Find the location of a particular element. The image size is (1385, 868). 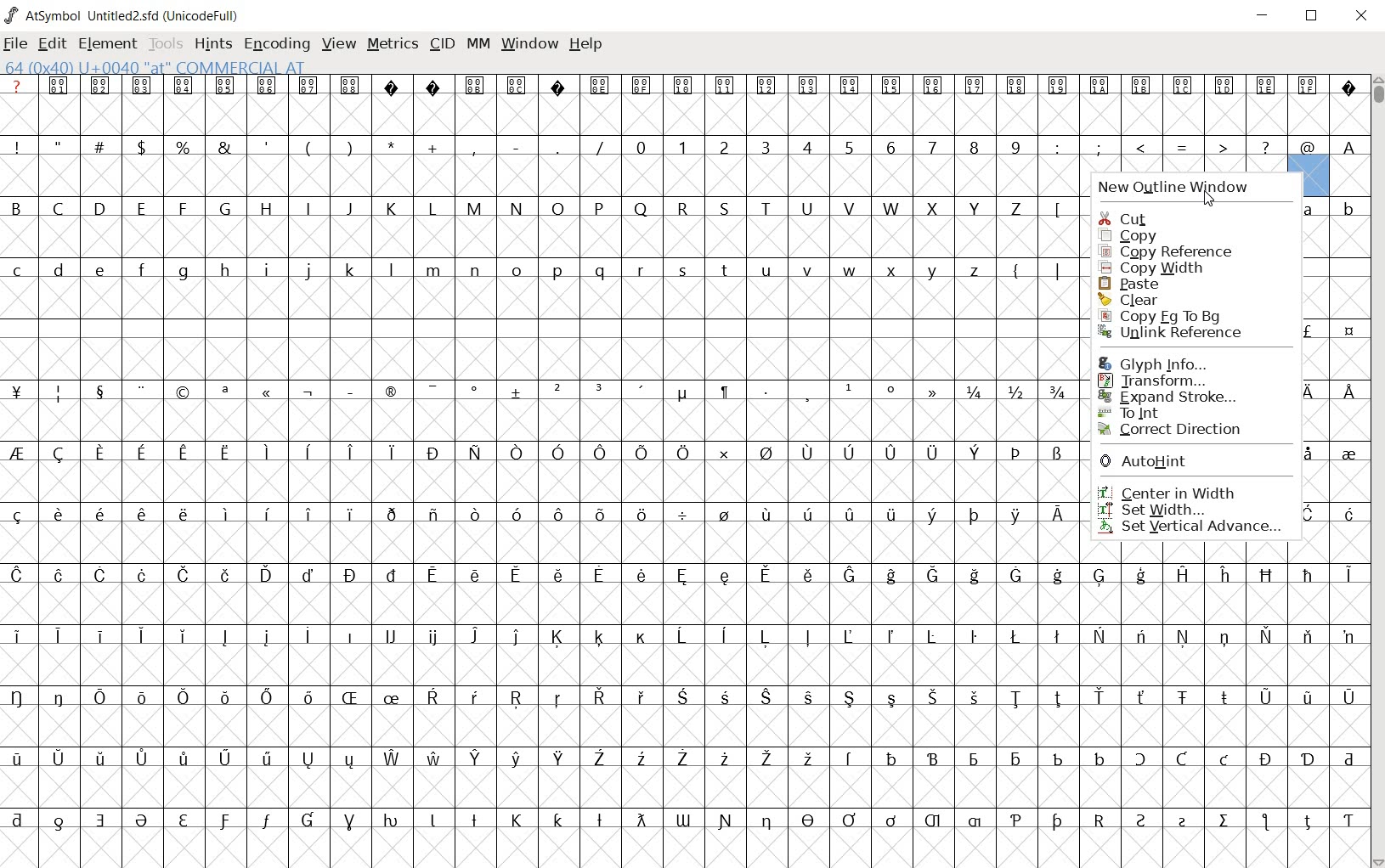

CLOSE is located at coordinates (1363, 18).